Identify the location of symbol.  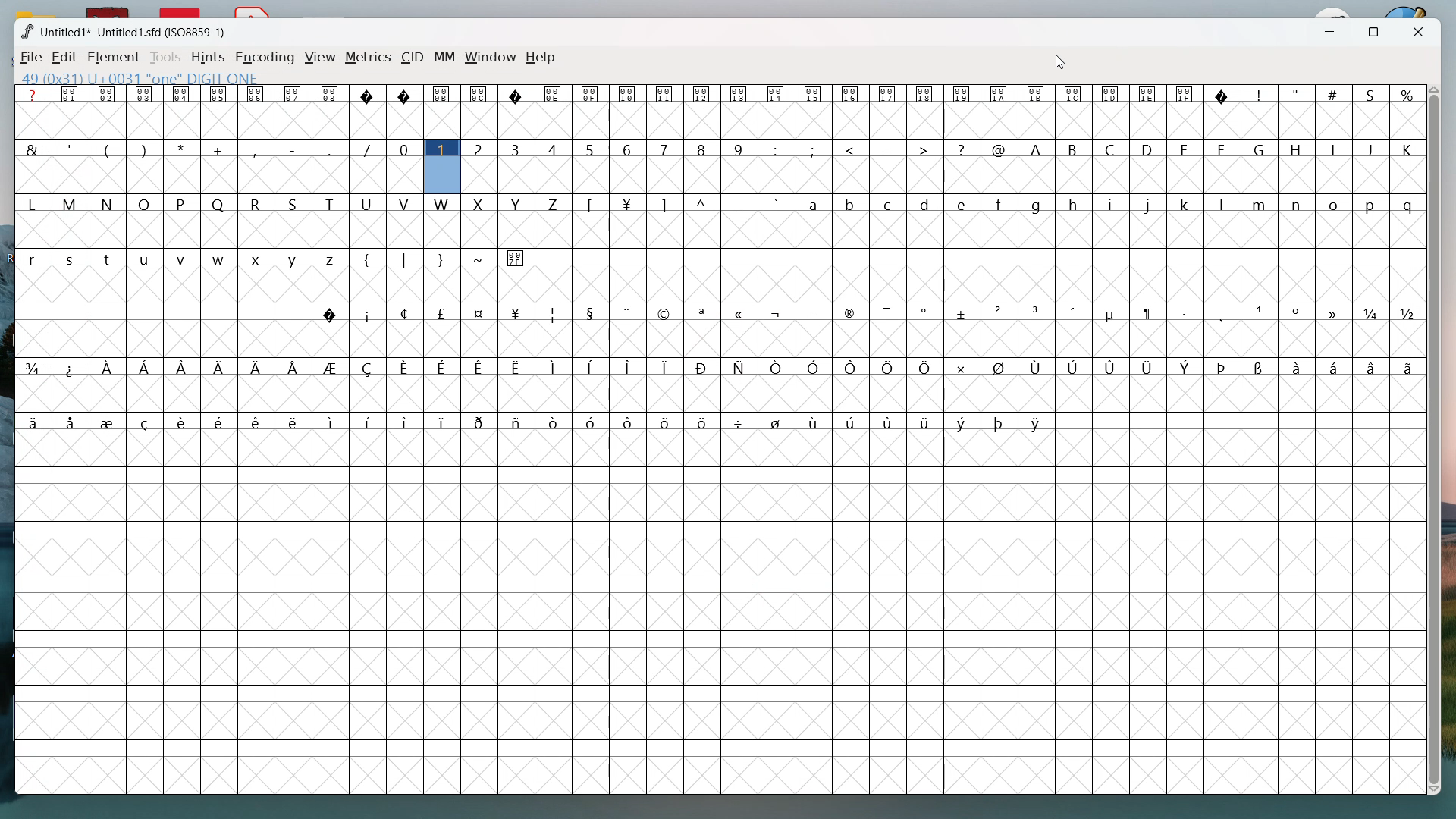
(890, 367).